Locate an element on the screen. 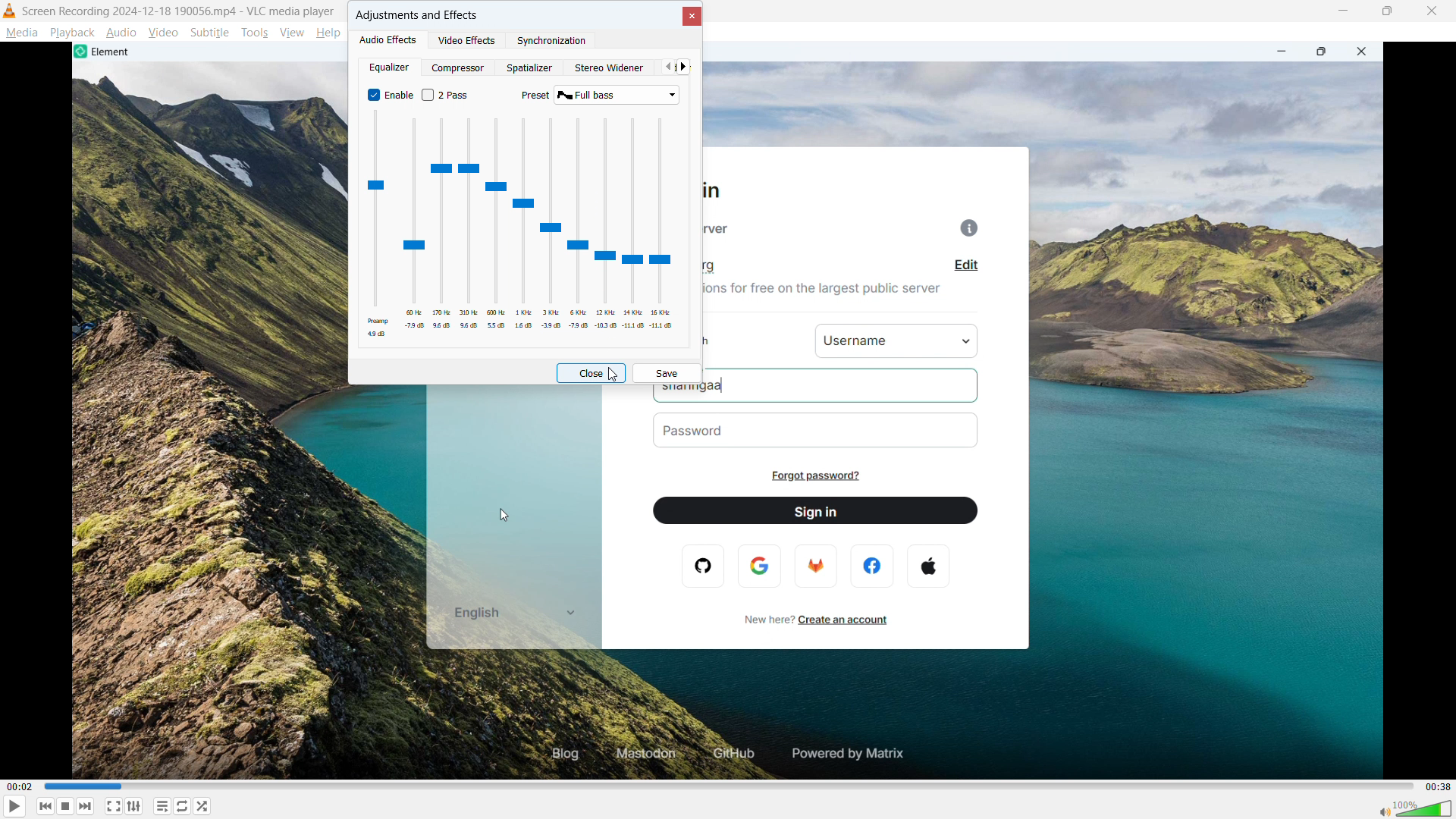 This screenshot has width=1456, height=819. Audio  is located at coordinates (122, 32).